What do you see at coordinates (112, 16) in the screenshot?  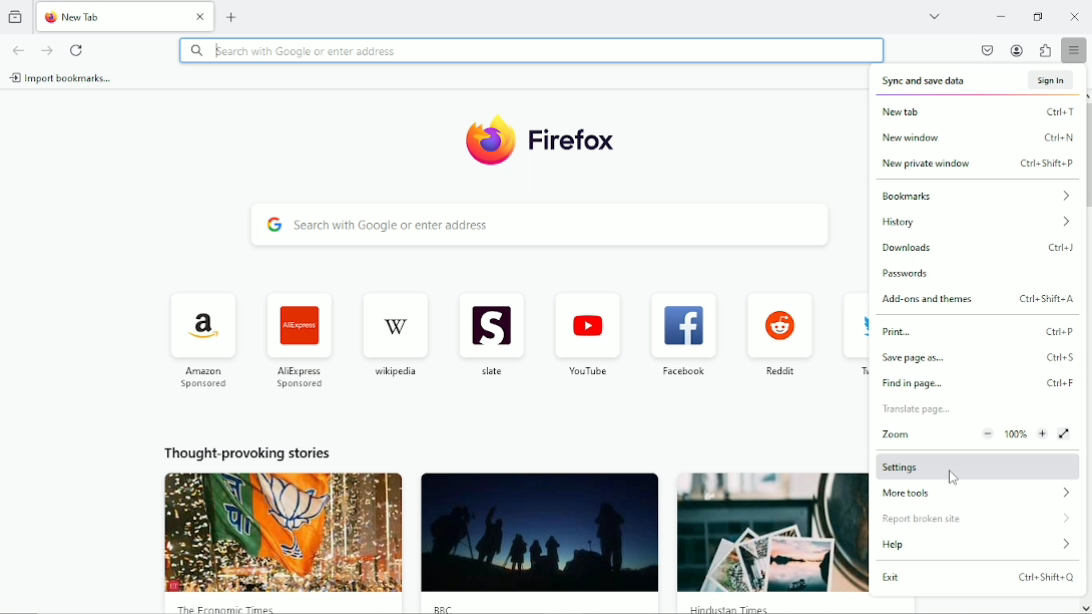 I see `current tab` at bounding box center [112, 16].